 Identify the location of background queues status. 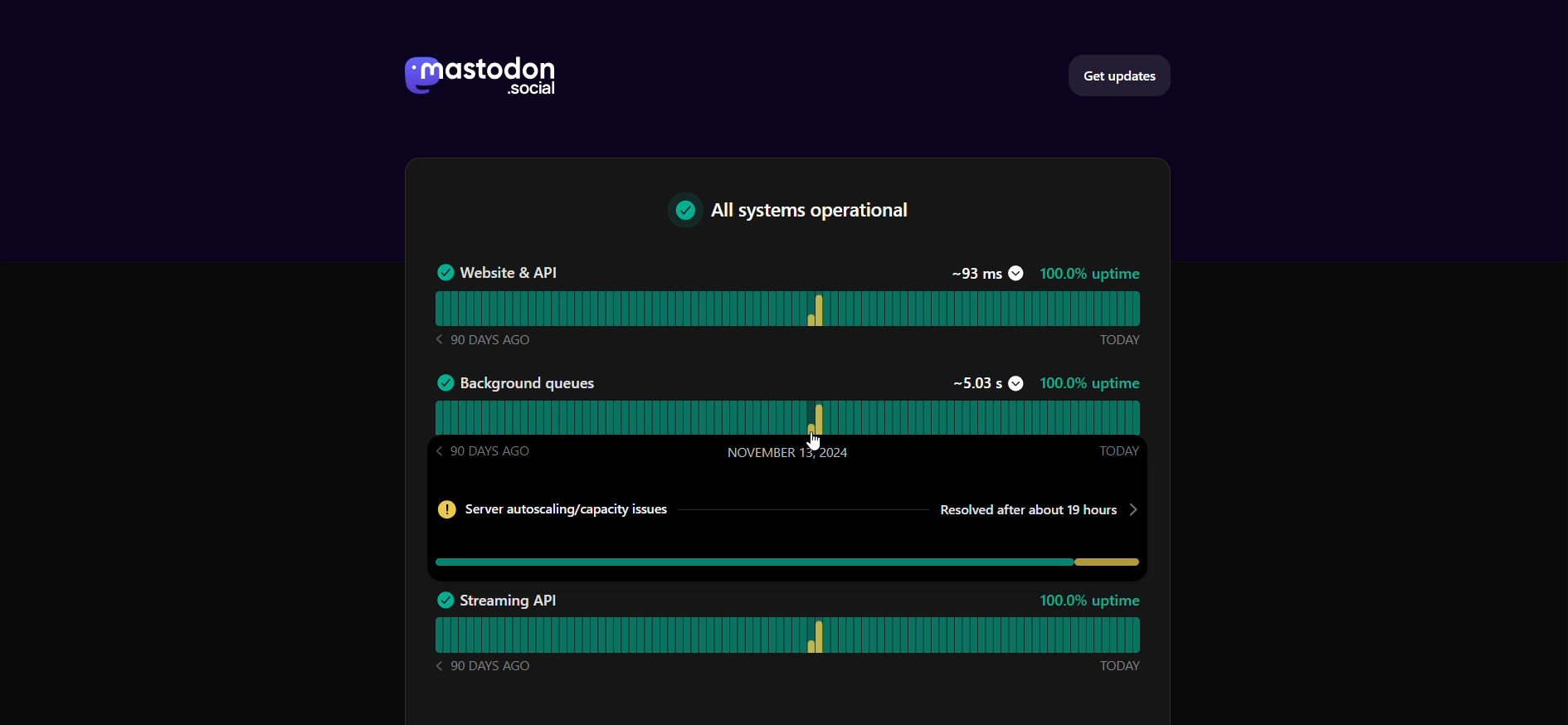
(789, 417).